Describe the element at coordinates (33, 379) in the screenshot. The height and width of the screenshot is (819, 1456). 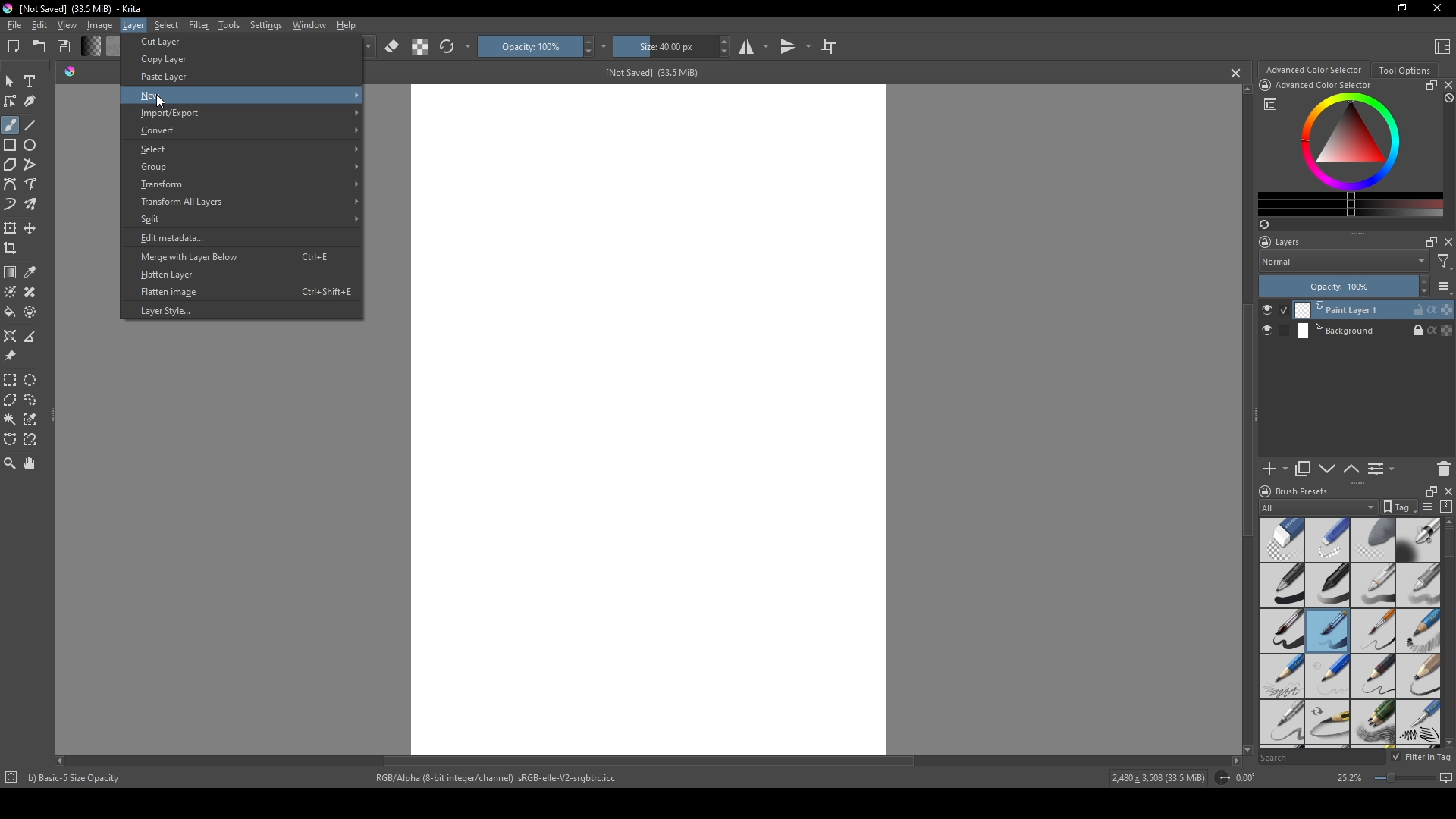
I see `elliptical` at that location.